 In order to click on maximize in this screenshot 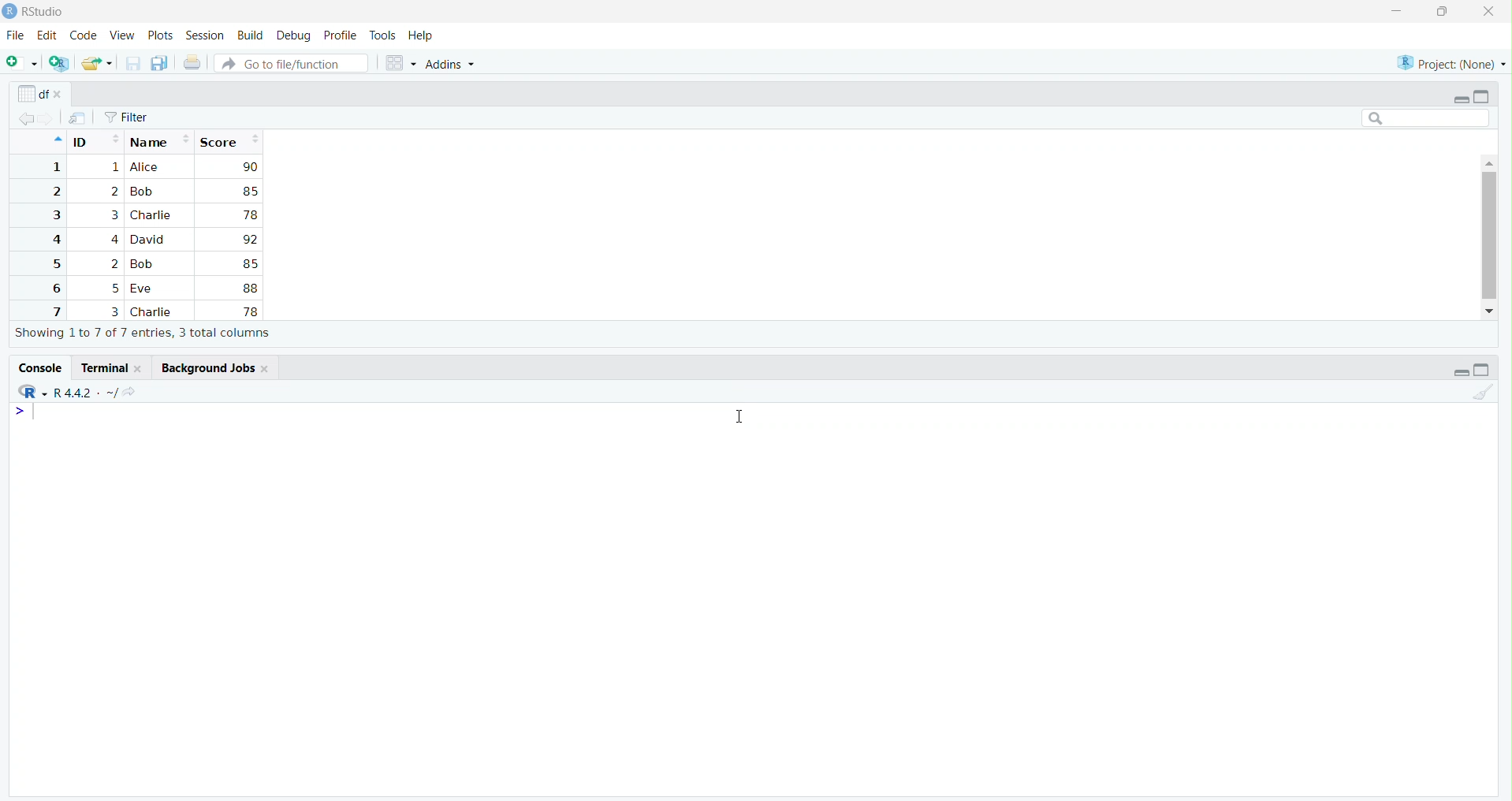, I will do `click(1482, 96)`.